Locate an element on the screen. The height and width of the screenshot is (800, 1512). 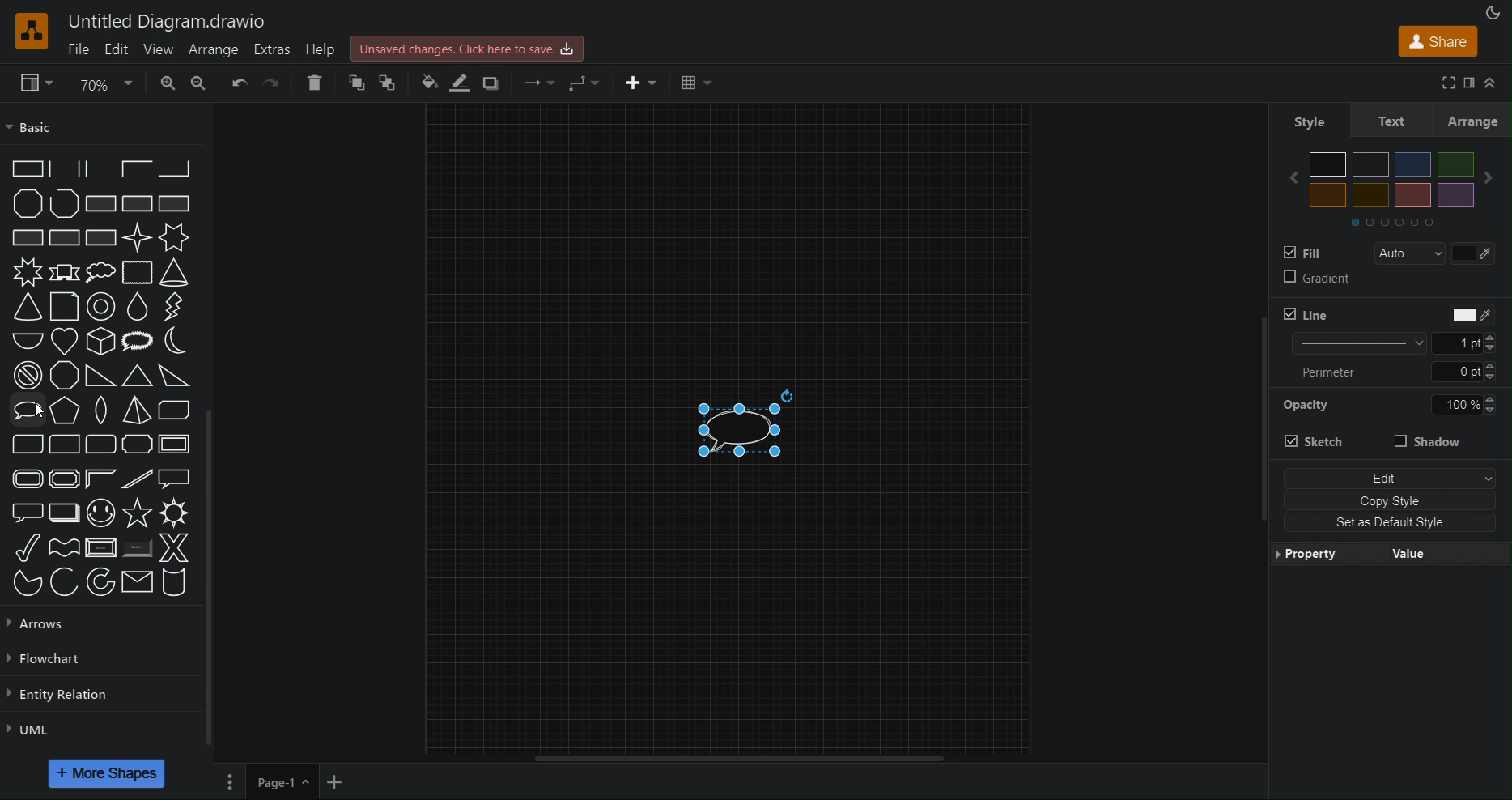
Table is located at coordinates (697, 84).